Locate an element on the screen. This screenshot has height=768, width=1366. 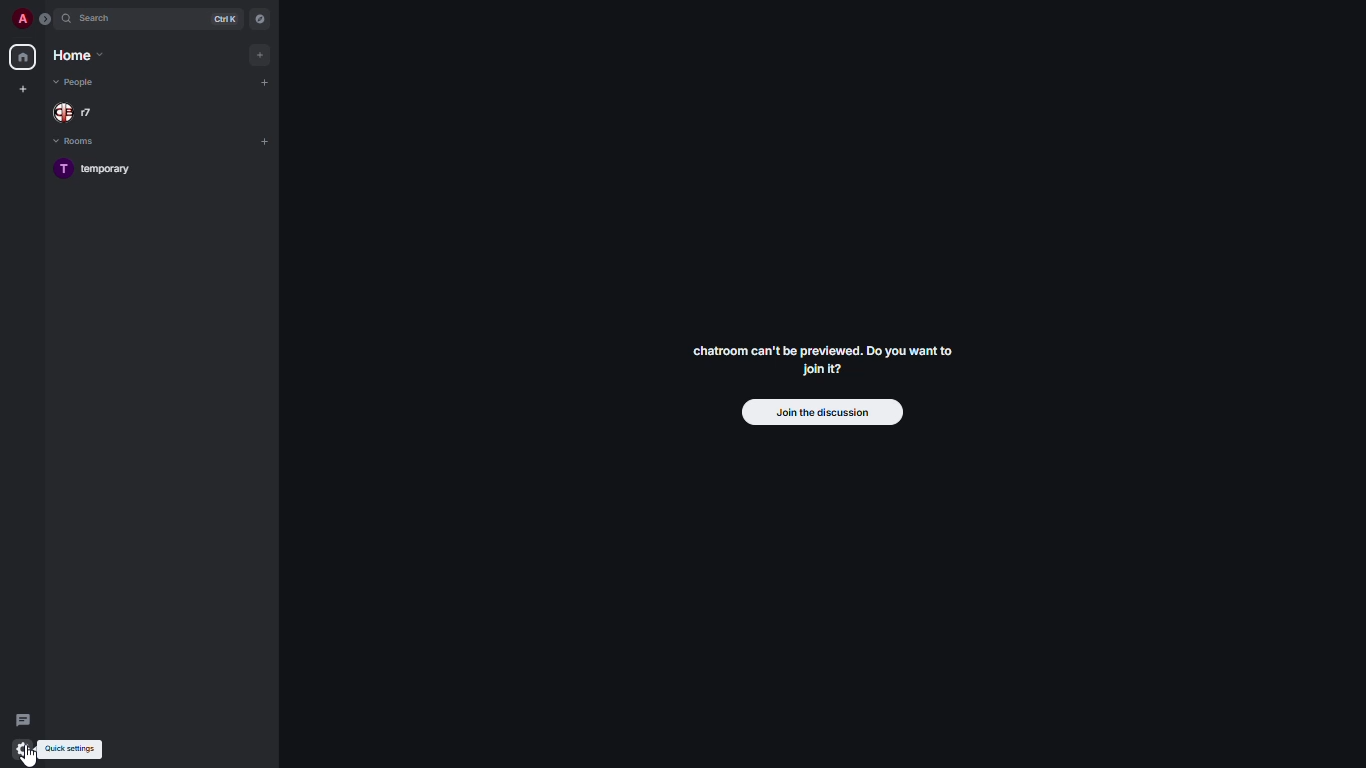
join the discussion is located at coordinates (824, 413).